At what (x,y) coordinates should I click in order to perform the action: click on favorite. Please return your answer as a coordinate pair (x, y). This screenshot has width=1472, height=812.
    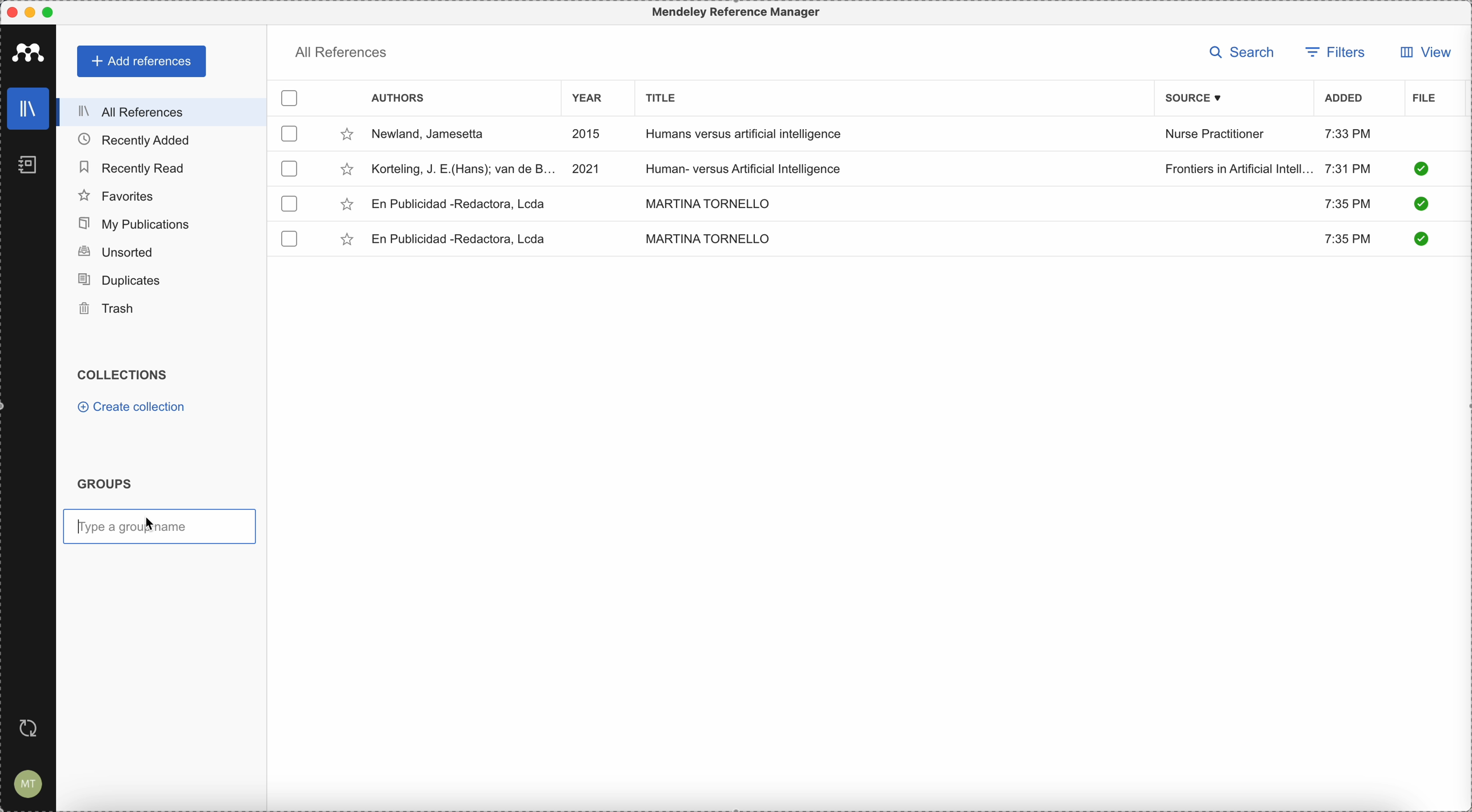
    Looking at the image, I should click on (349, 241).